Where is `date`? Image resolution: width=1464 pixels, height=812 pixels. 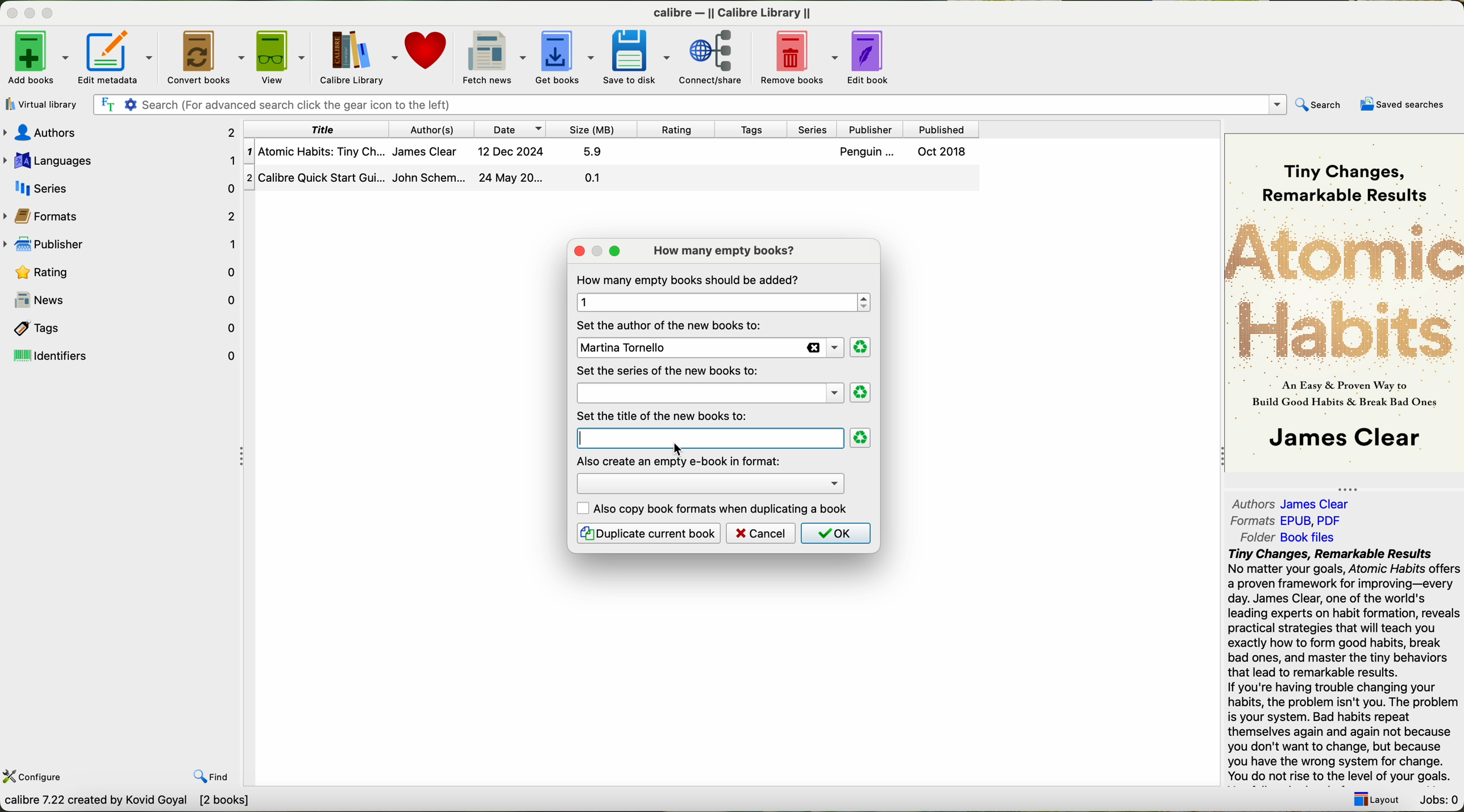 date is located at coordinates (512, 129).